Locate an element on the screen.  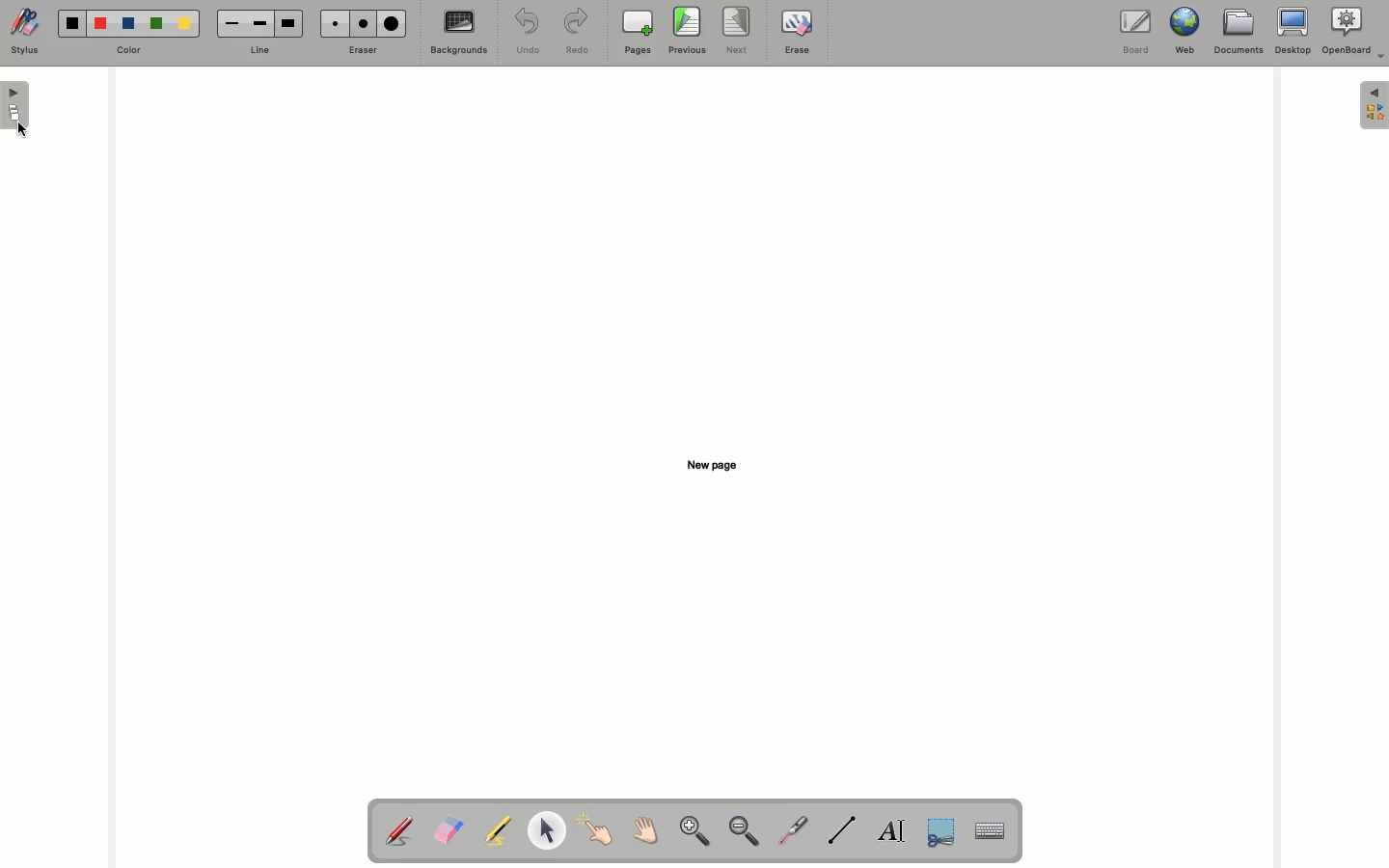
Redo is located at coordinates (574, 33).